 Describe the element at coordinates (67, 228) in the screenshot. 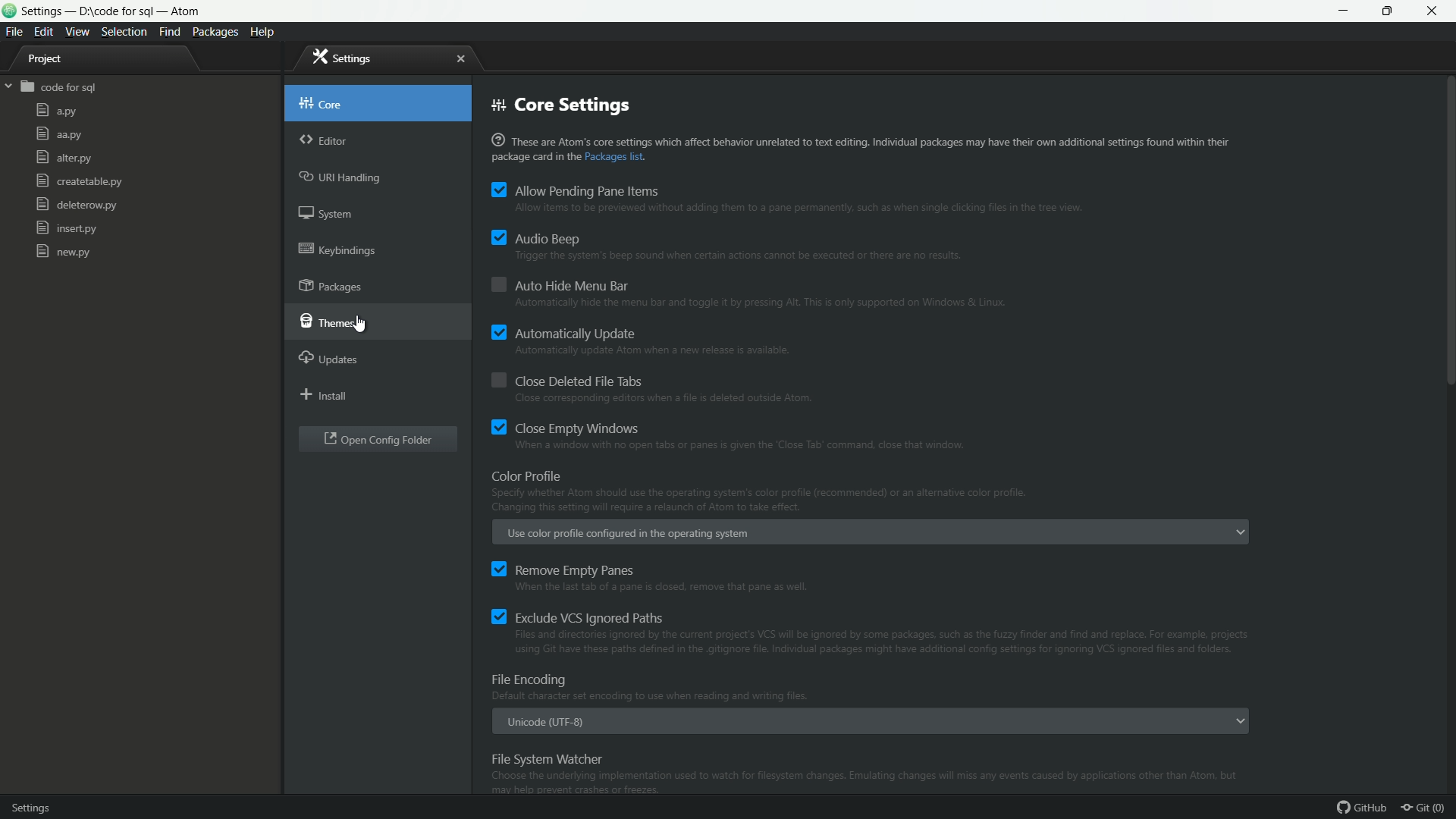

I see `insert.py file` at that location.